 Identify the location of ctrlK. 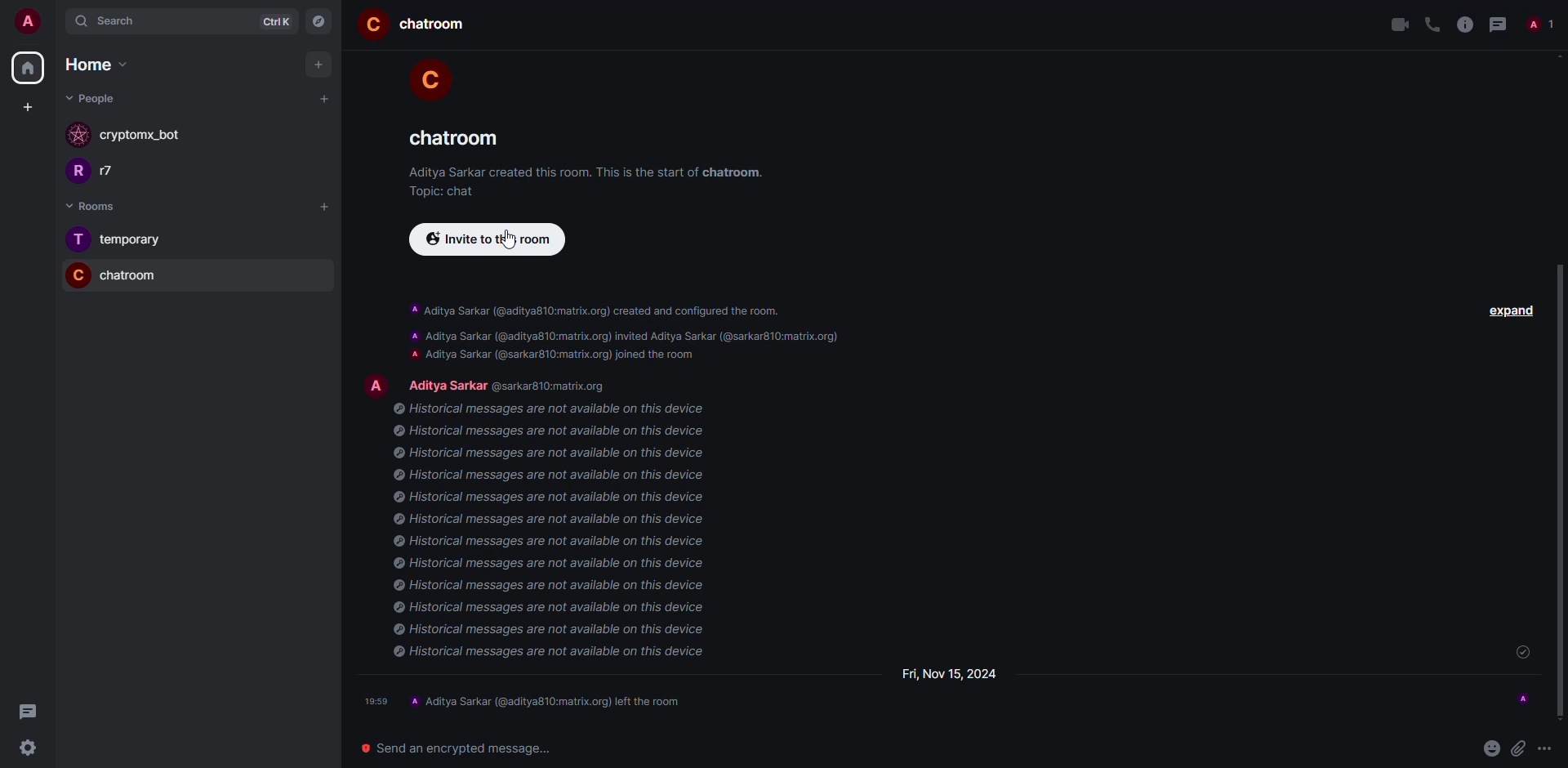
(272, 21).